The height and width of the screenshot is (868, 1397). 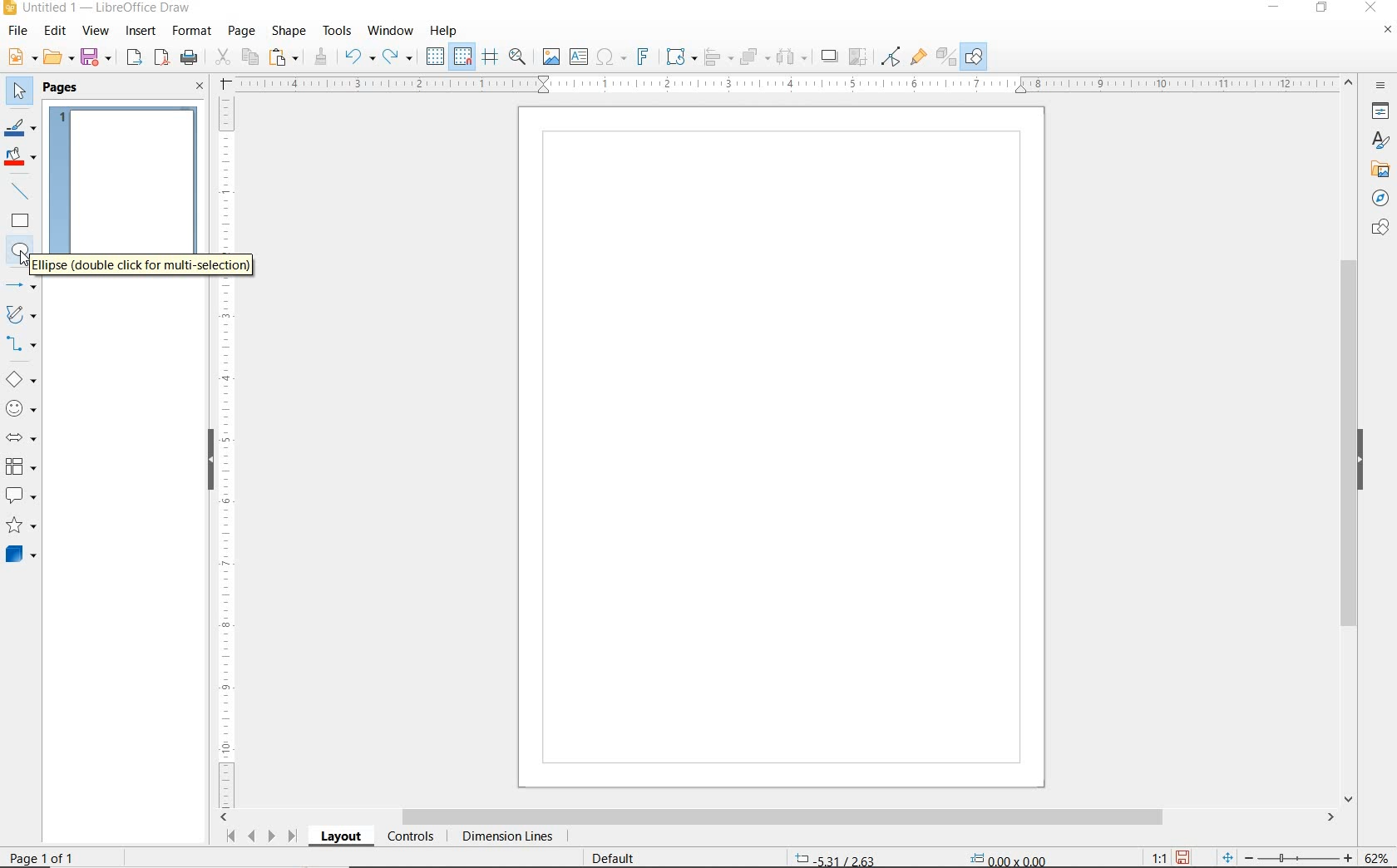 What do you see at coordinates (96, 32) in the screenshot?
I see `VIEW` at bounding box center [96, 32].